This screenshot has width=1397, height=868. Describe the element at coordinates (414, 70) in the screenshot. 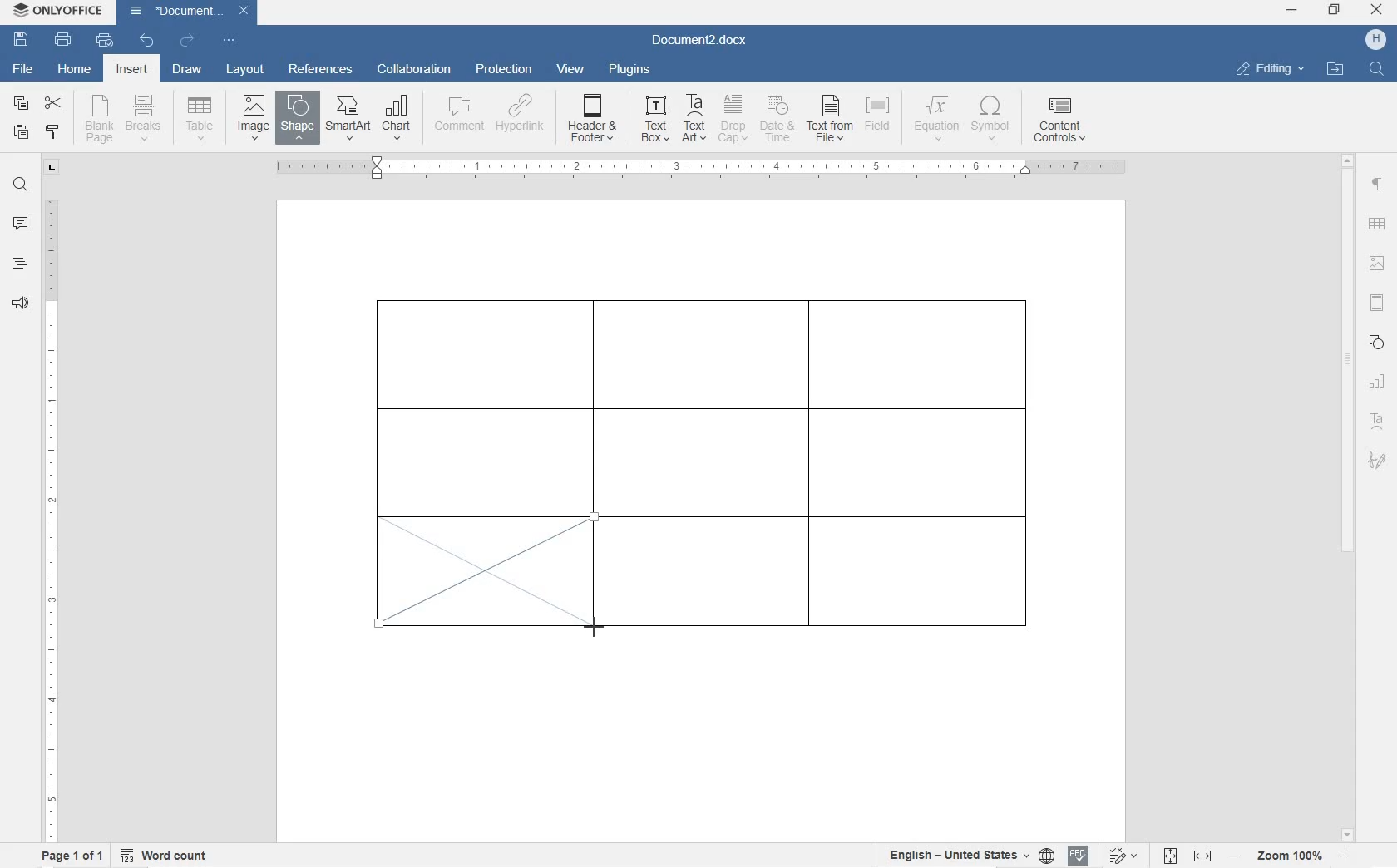

I see `collaboration` at that location.